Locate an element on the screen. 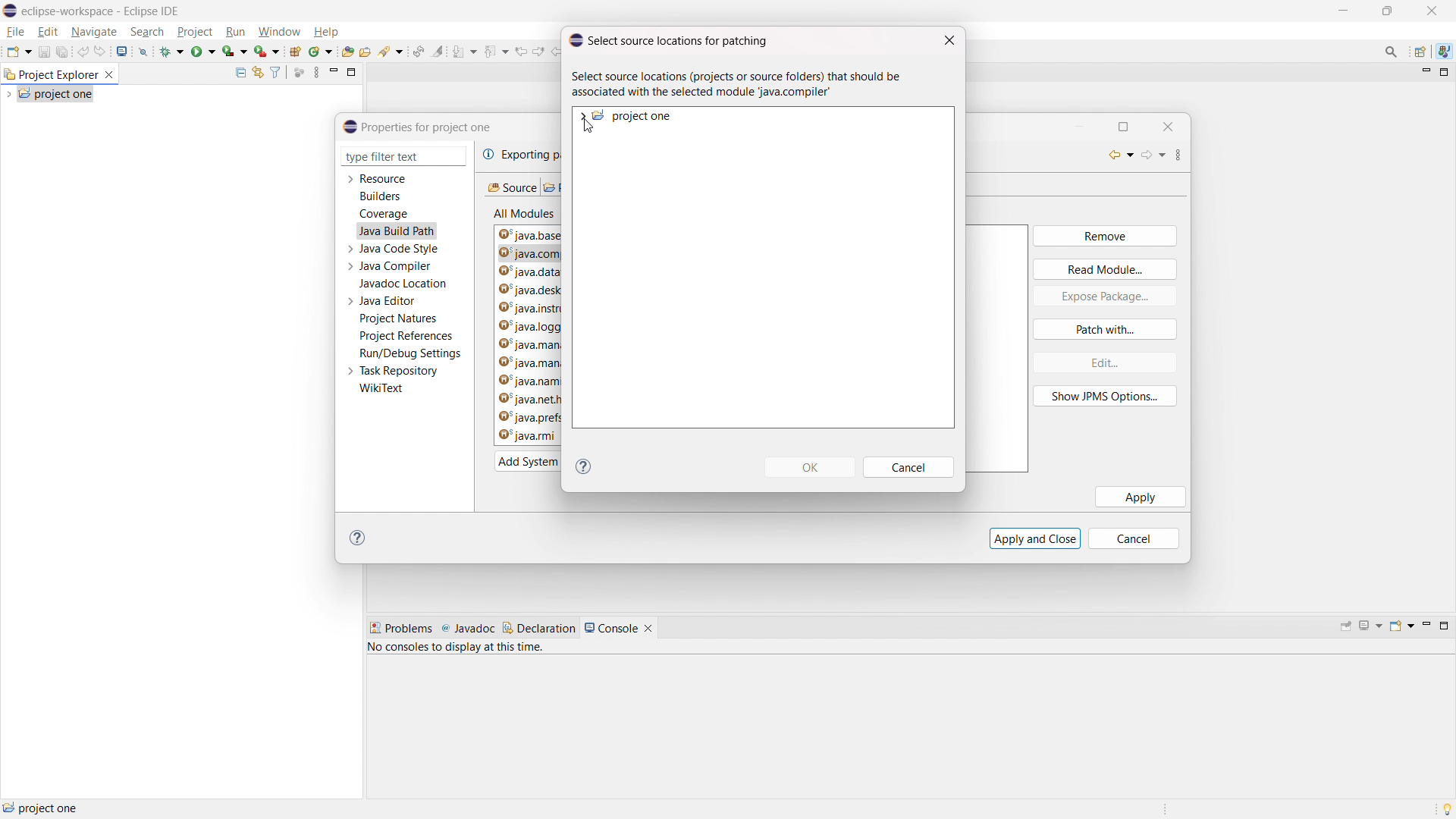  new is located at coordinates (18, 51).